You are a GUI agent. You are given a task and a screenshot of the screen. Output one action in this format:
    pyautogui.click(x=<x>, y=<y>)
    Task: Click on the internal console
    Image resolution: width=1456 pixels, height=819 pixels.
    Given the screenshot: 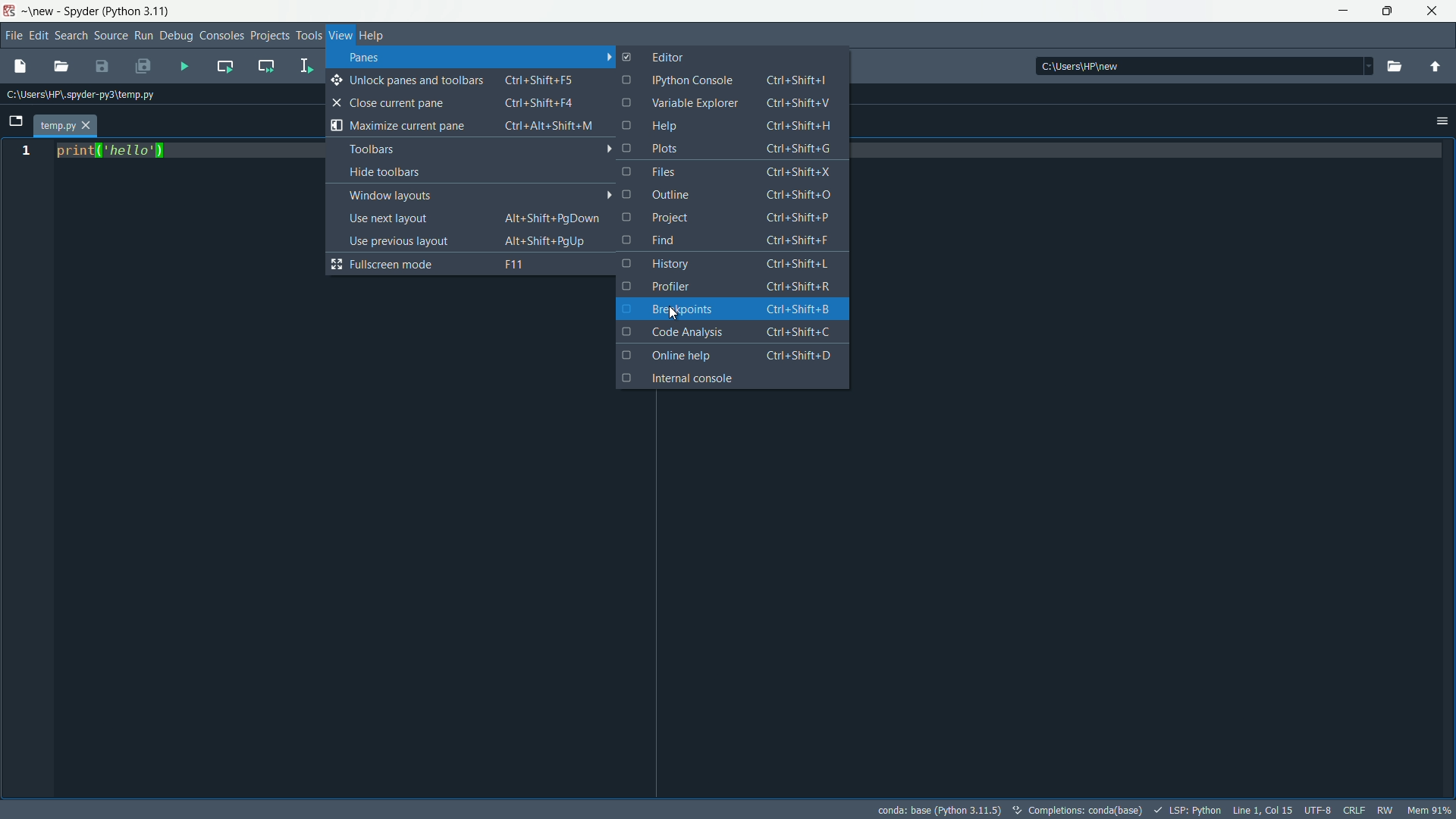 What is the action you would take?
    pyautogui.click(x=731, y=378)
    